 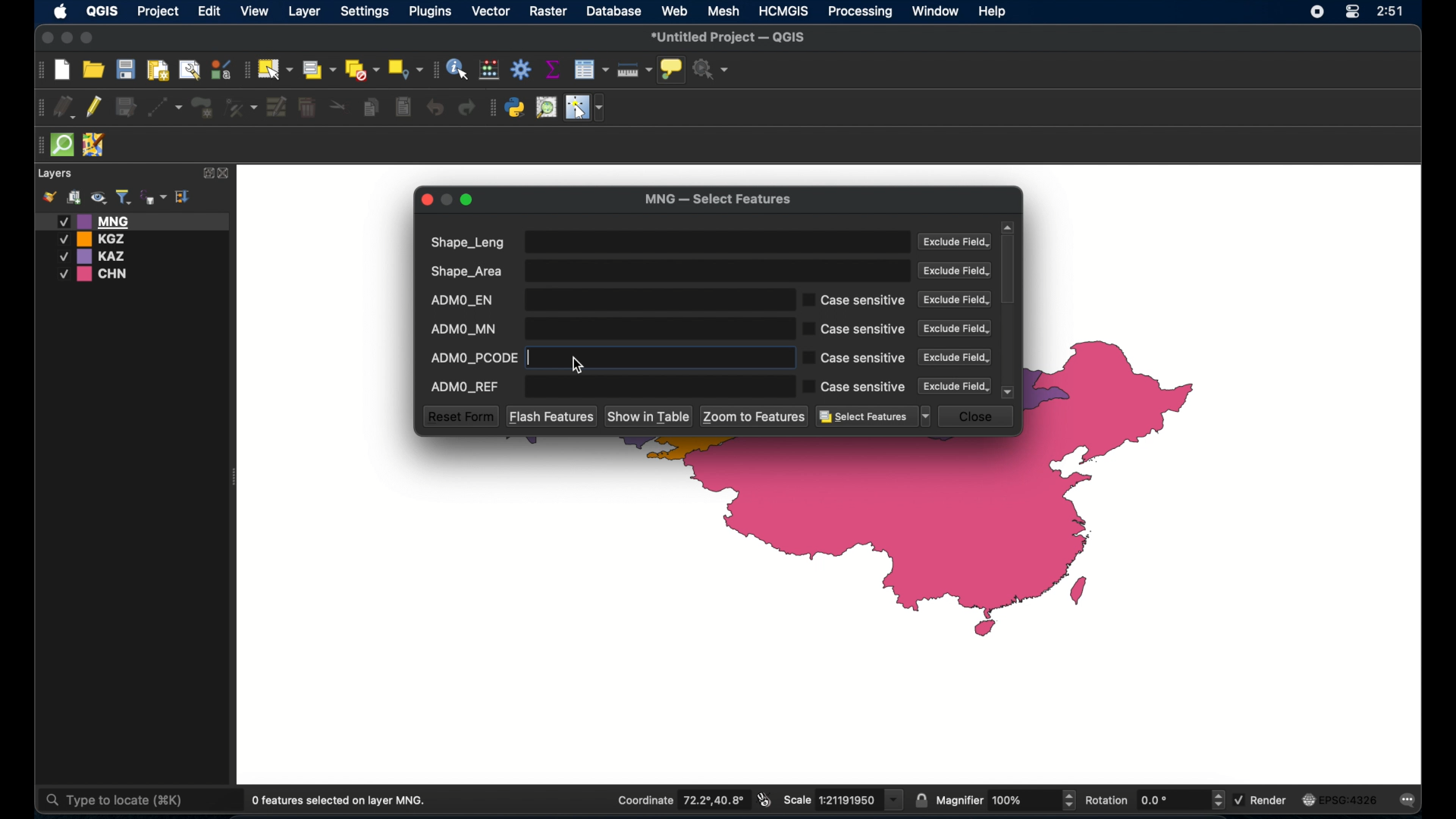 What do you see at coordinates (184, 196) in the screenshot?
I see `collapse all` at bounding box center [184, 196].